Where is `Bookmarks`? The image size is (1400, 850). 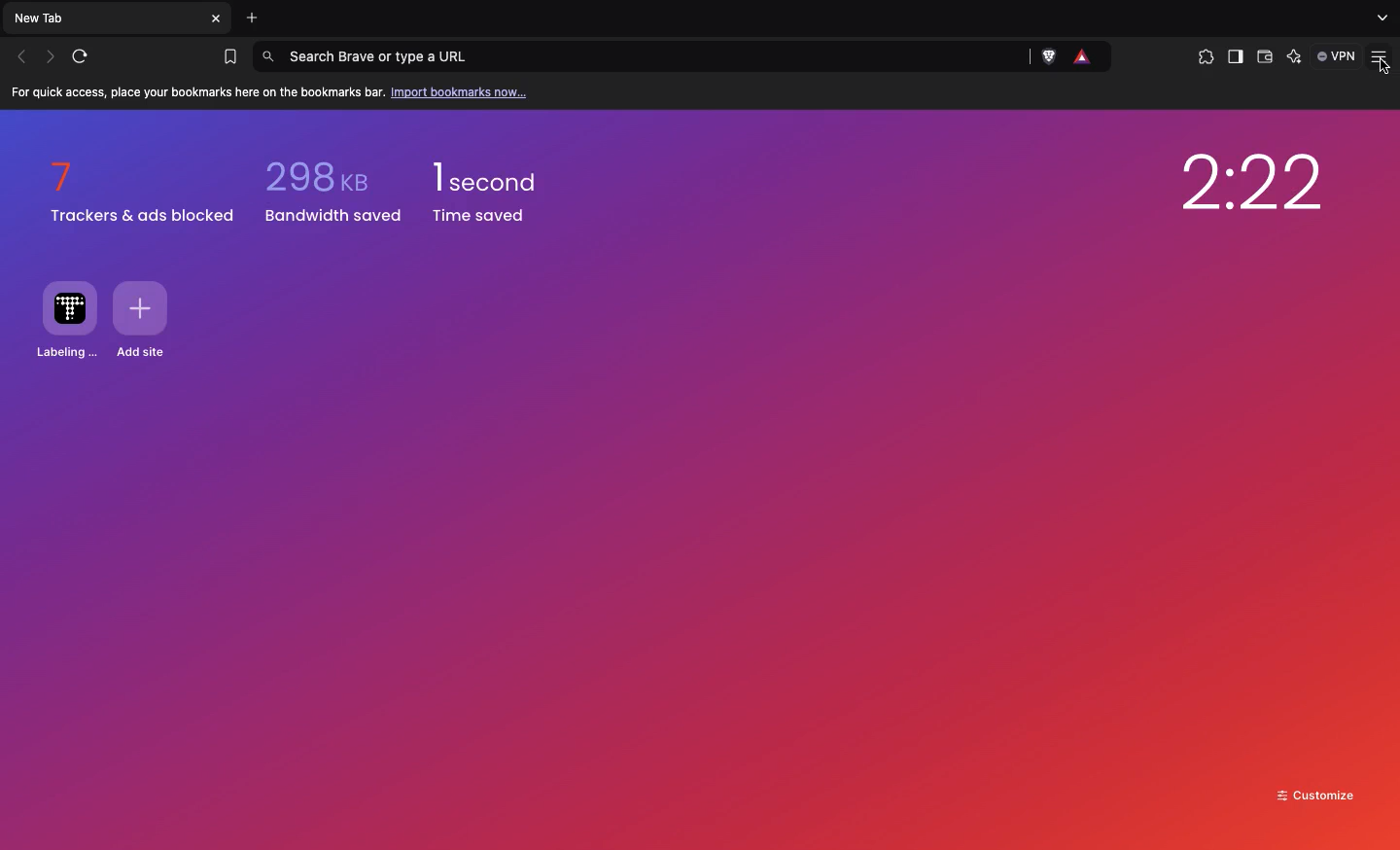
Bookmarks is located at coordinates (228, 57).